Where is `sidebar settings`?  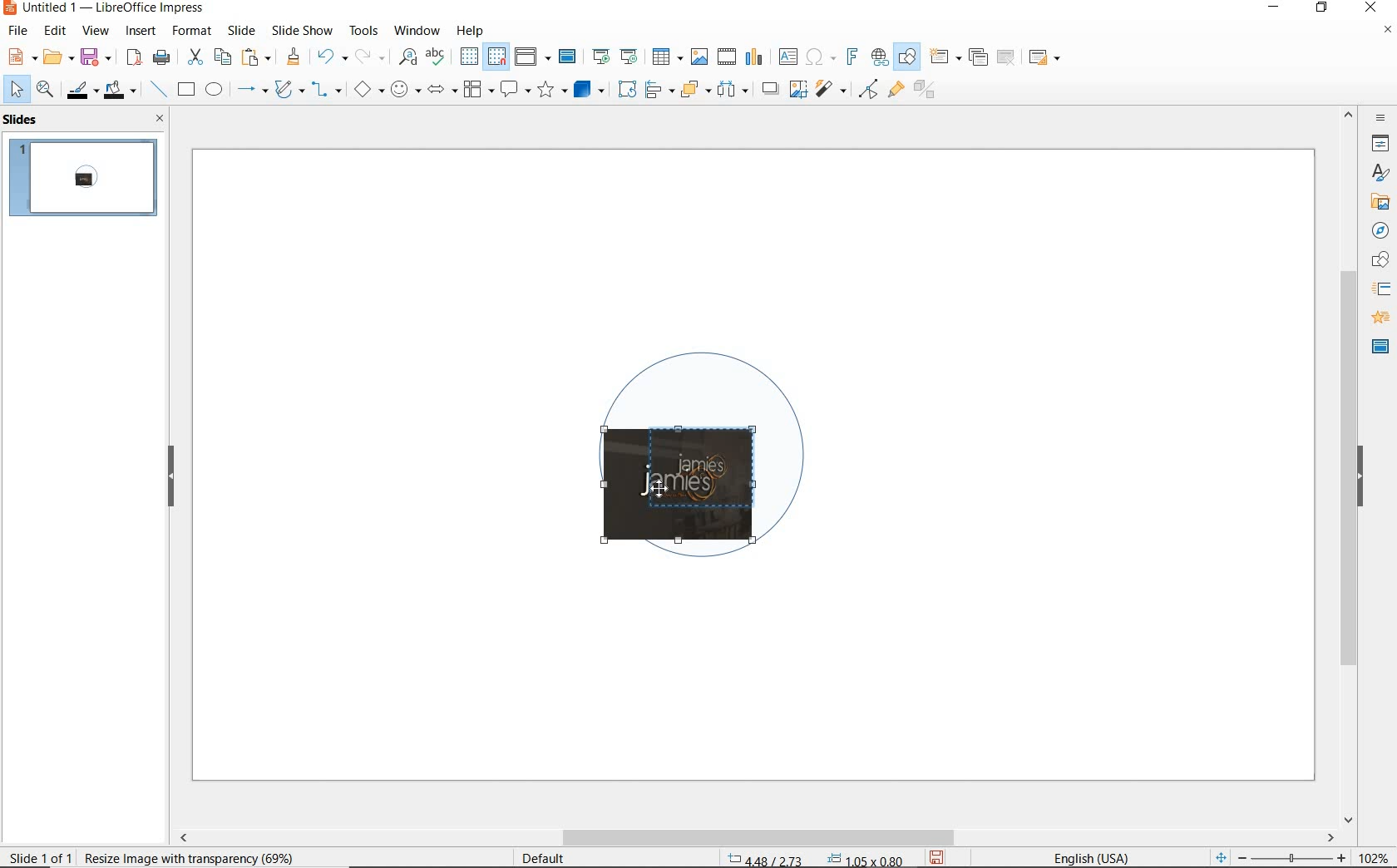
sidebar settings is located at coordinates (1379, 118).